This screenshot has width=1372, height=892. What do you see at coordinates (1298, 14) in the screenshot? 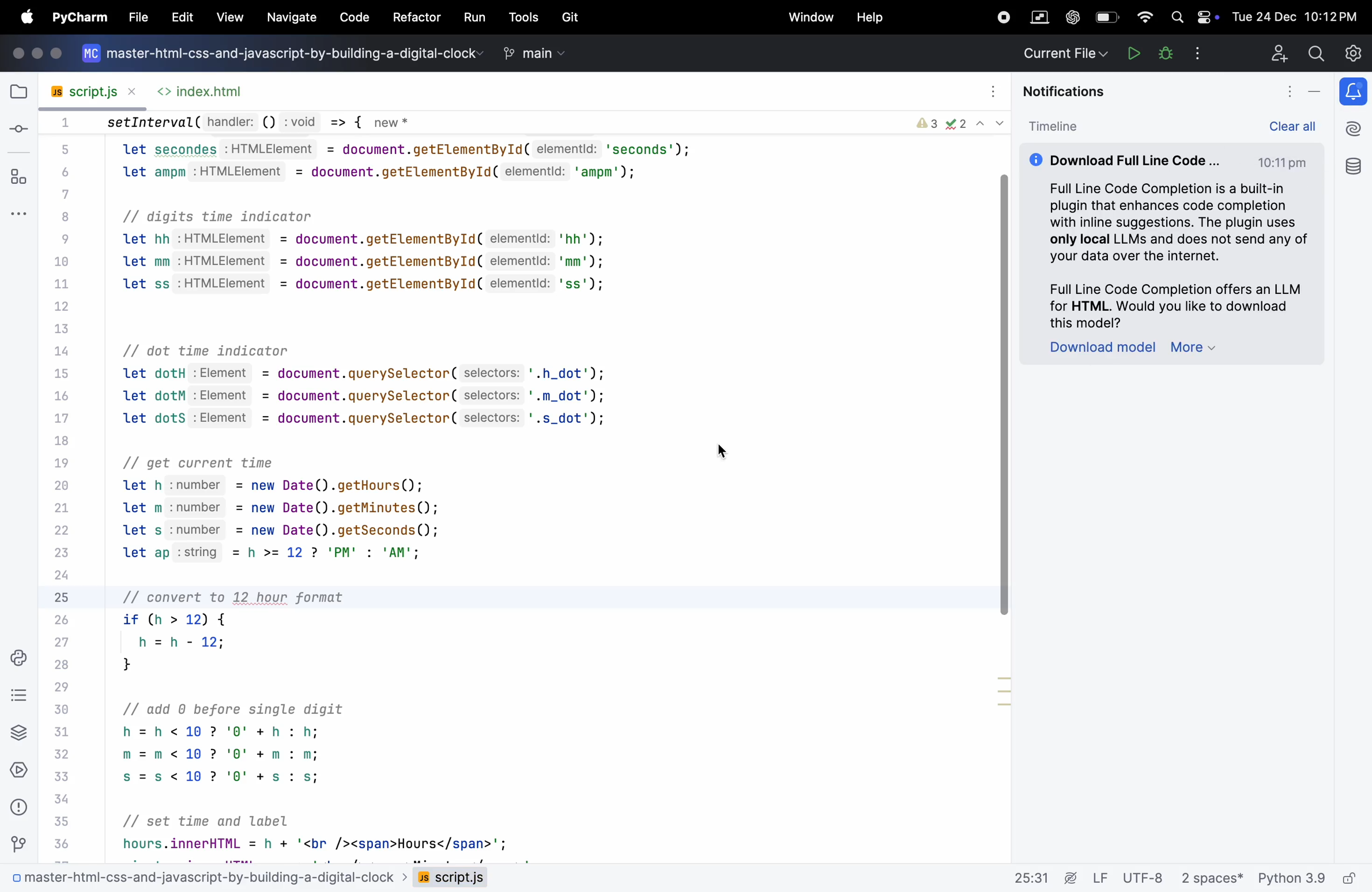
I see `date and time` at bounding box center [1298, 14].